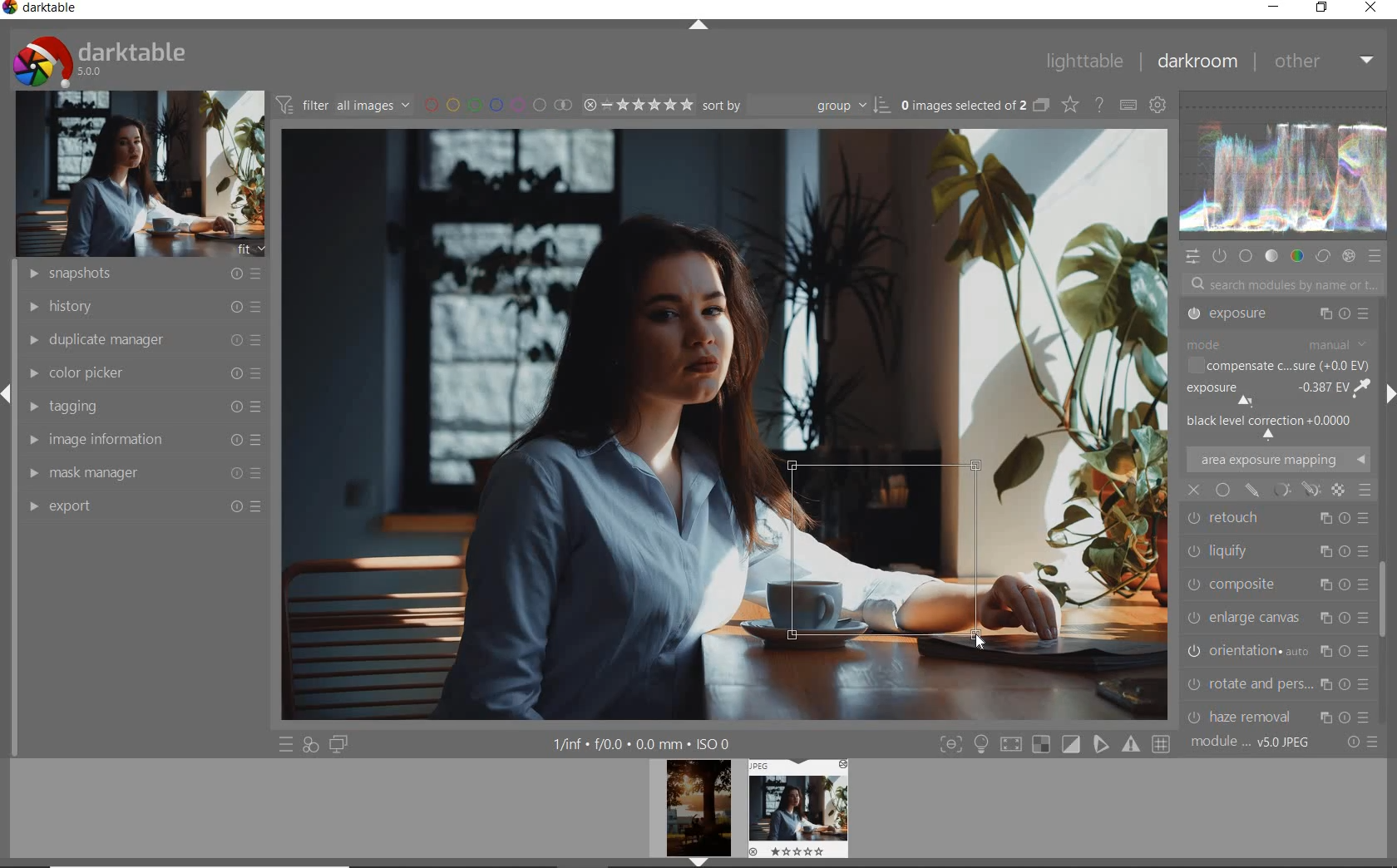  What do you see at coordinates (797, 808) in the screenshot?
I see `IMAGE PREVIEW` at bounding box center [797, 808].